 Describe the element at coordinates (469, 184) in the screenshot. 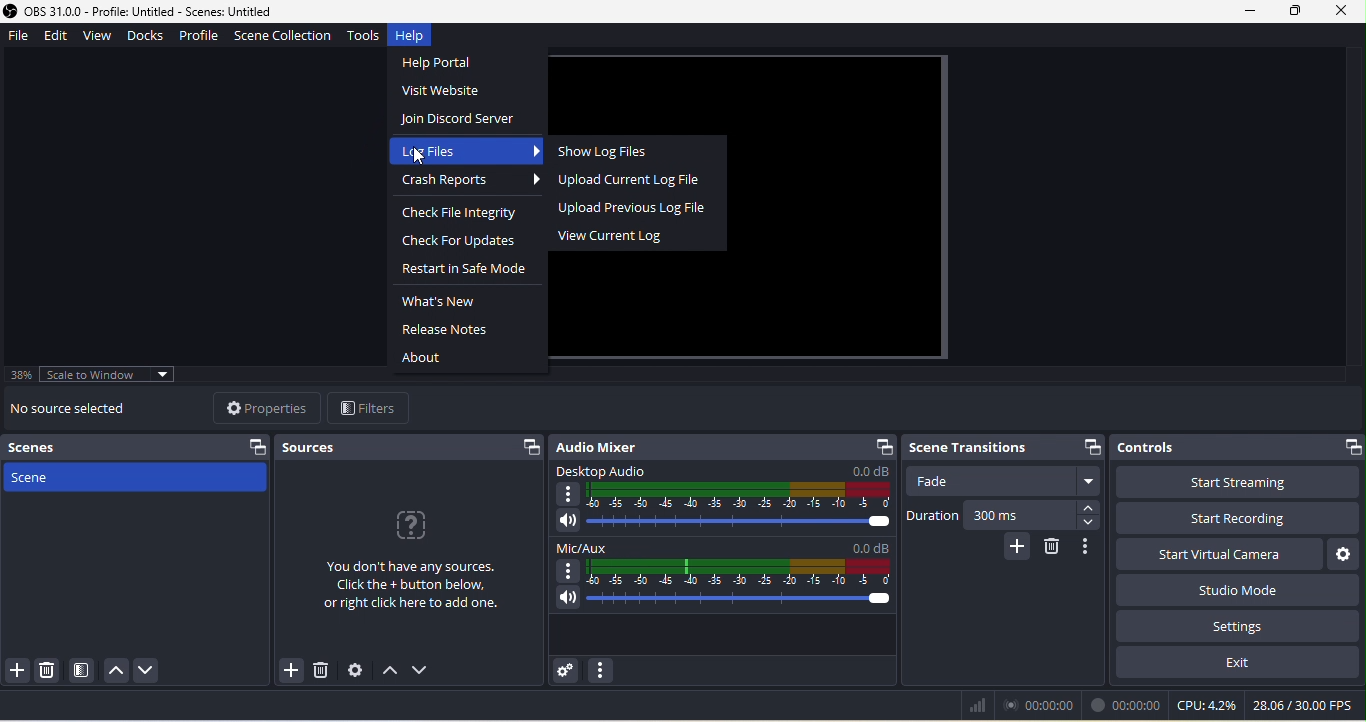

I see `crash reports` at that location.